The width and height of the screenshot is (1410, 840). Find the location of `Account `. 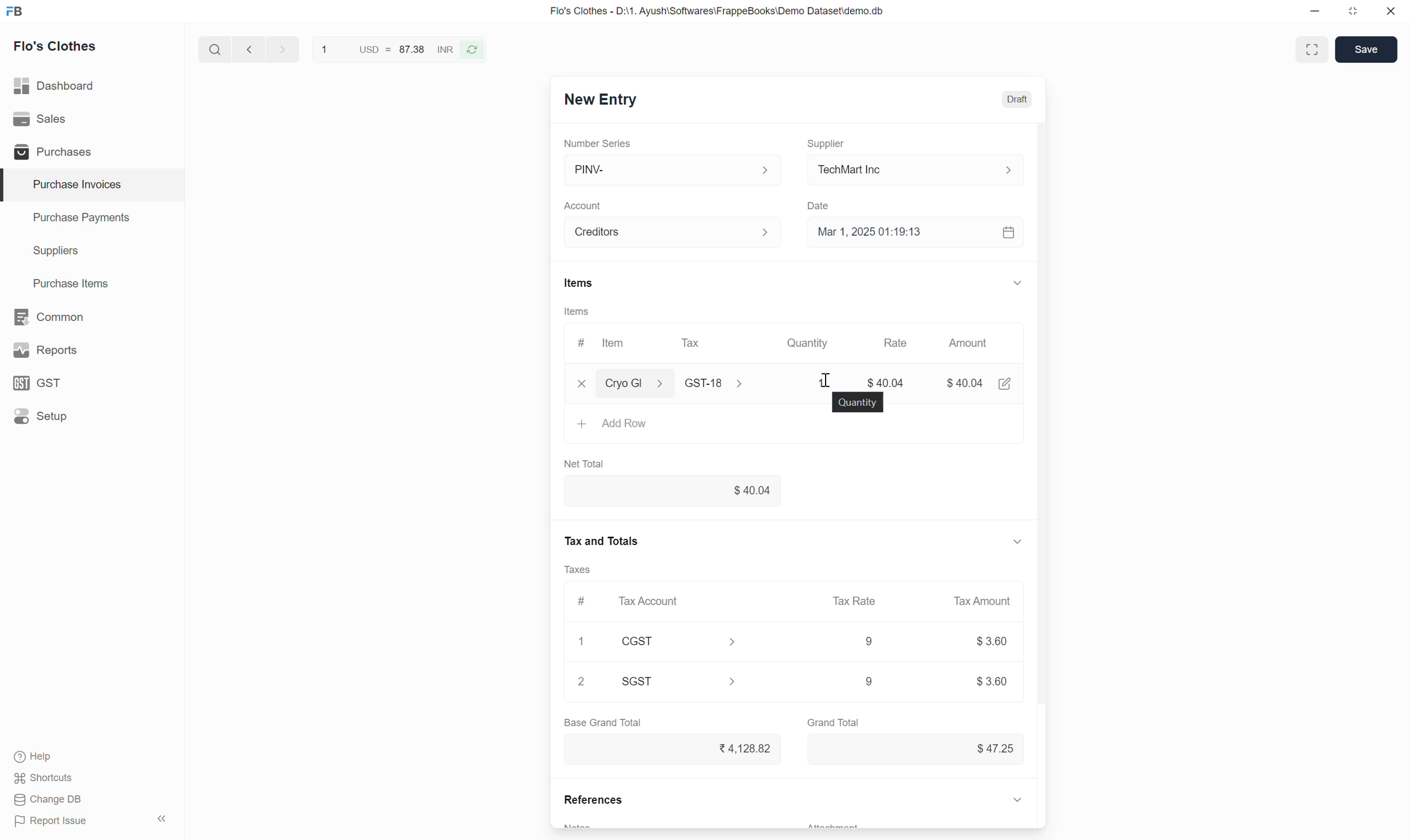

Account  is located at coordinates (675, 230).